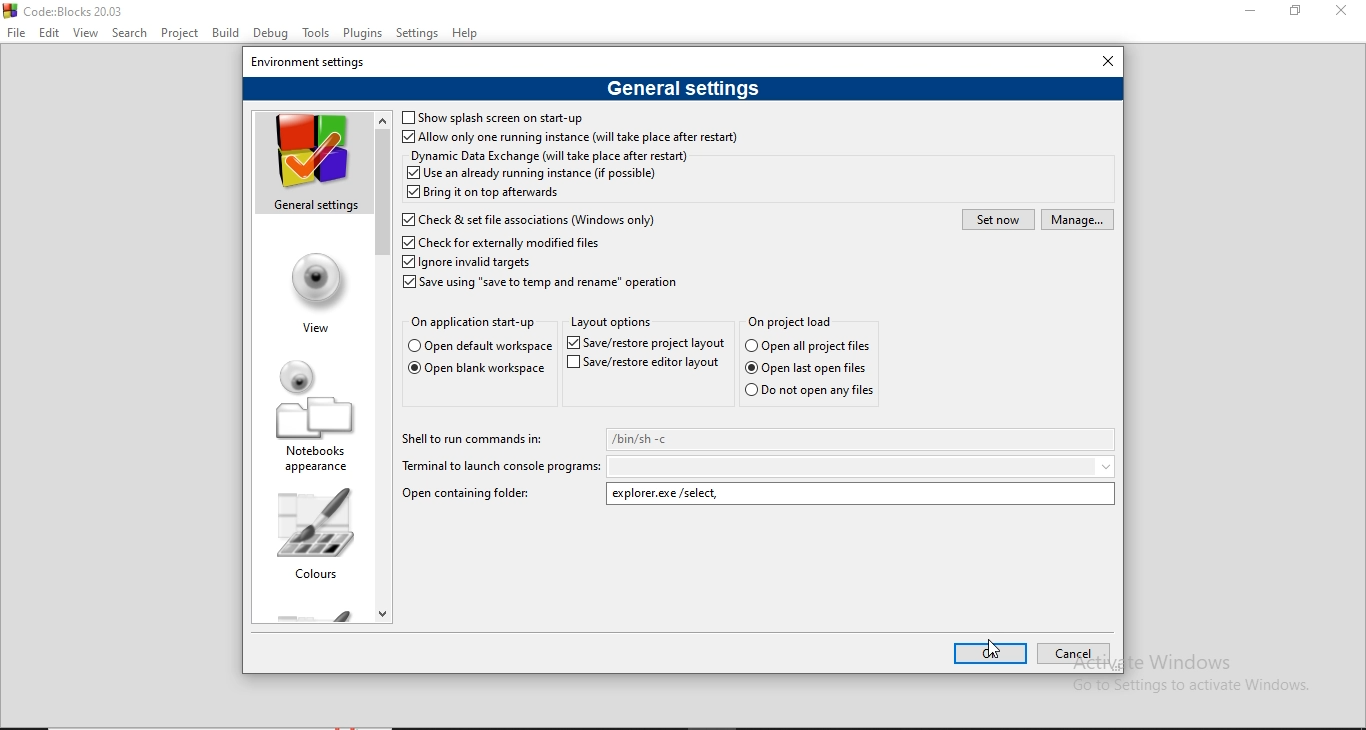 This screenshot has height=730, width=1366. What do you see at coordinates (50, 31) in the screenshot?
I see `Edit ` at bounding box center [50, 31].